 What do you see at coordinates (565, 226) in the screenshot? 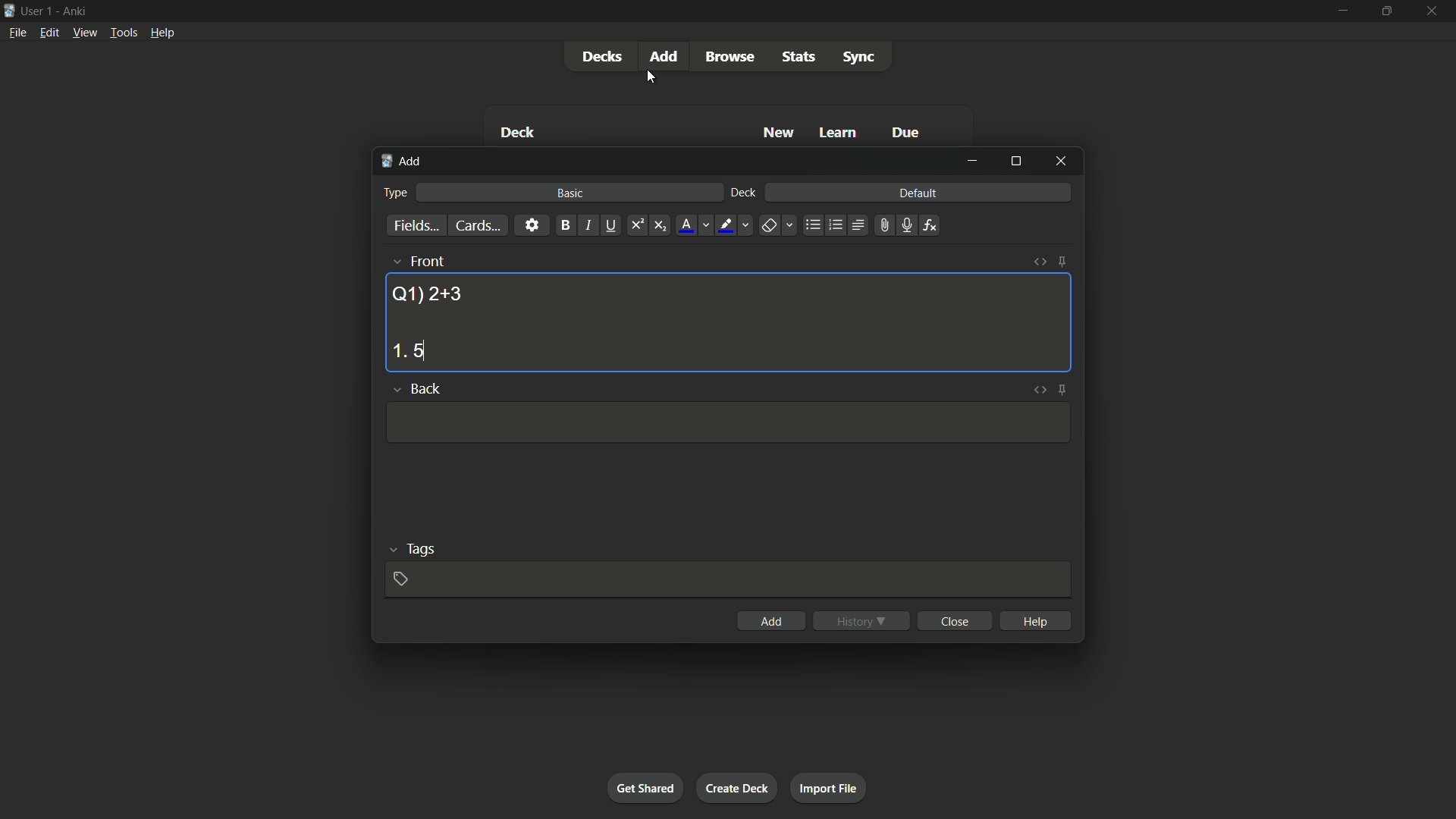
I see `bold` at bounding box center [565, 226].